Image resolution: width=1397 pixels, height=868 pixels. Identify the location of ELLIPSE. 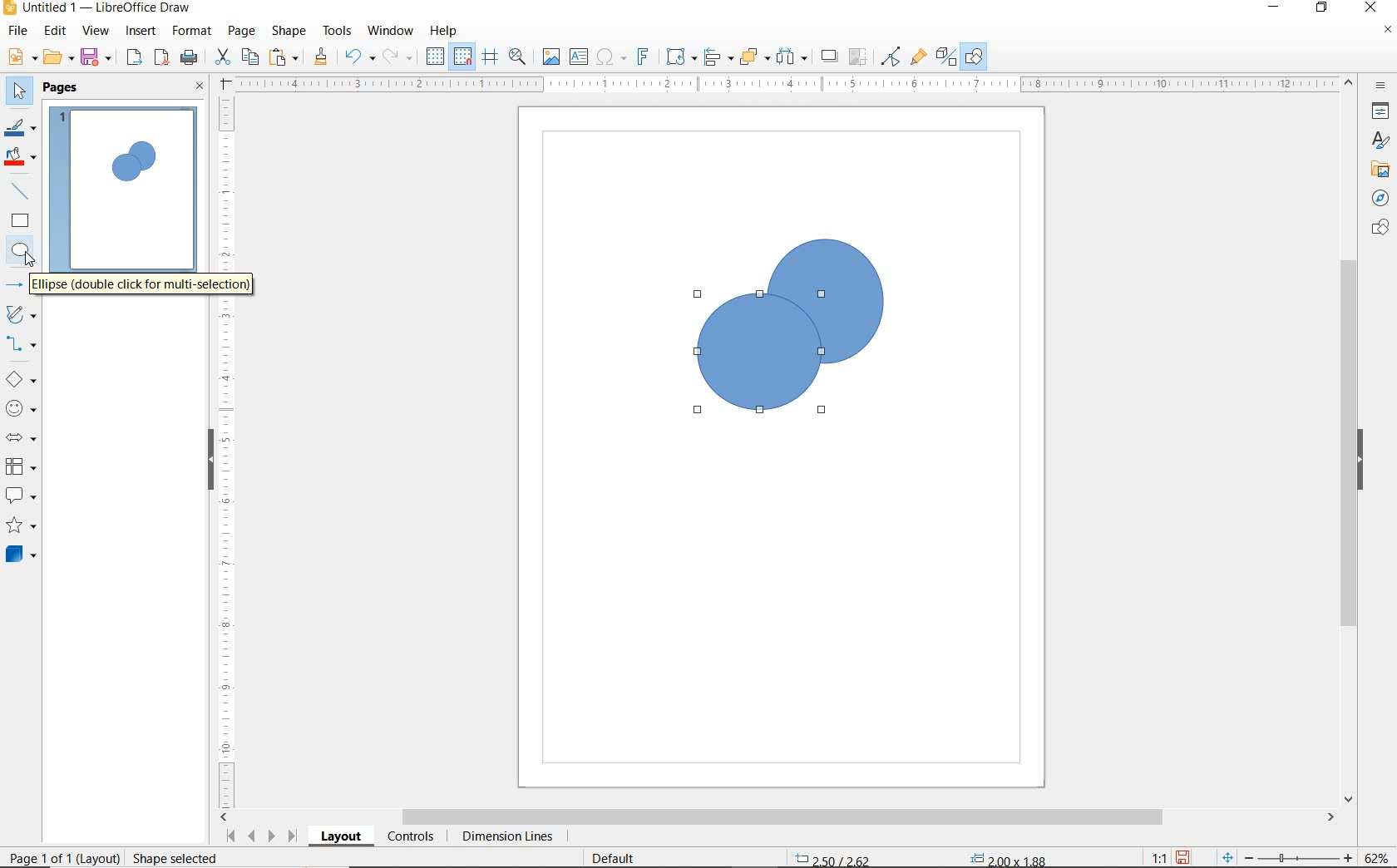
(143, 289).